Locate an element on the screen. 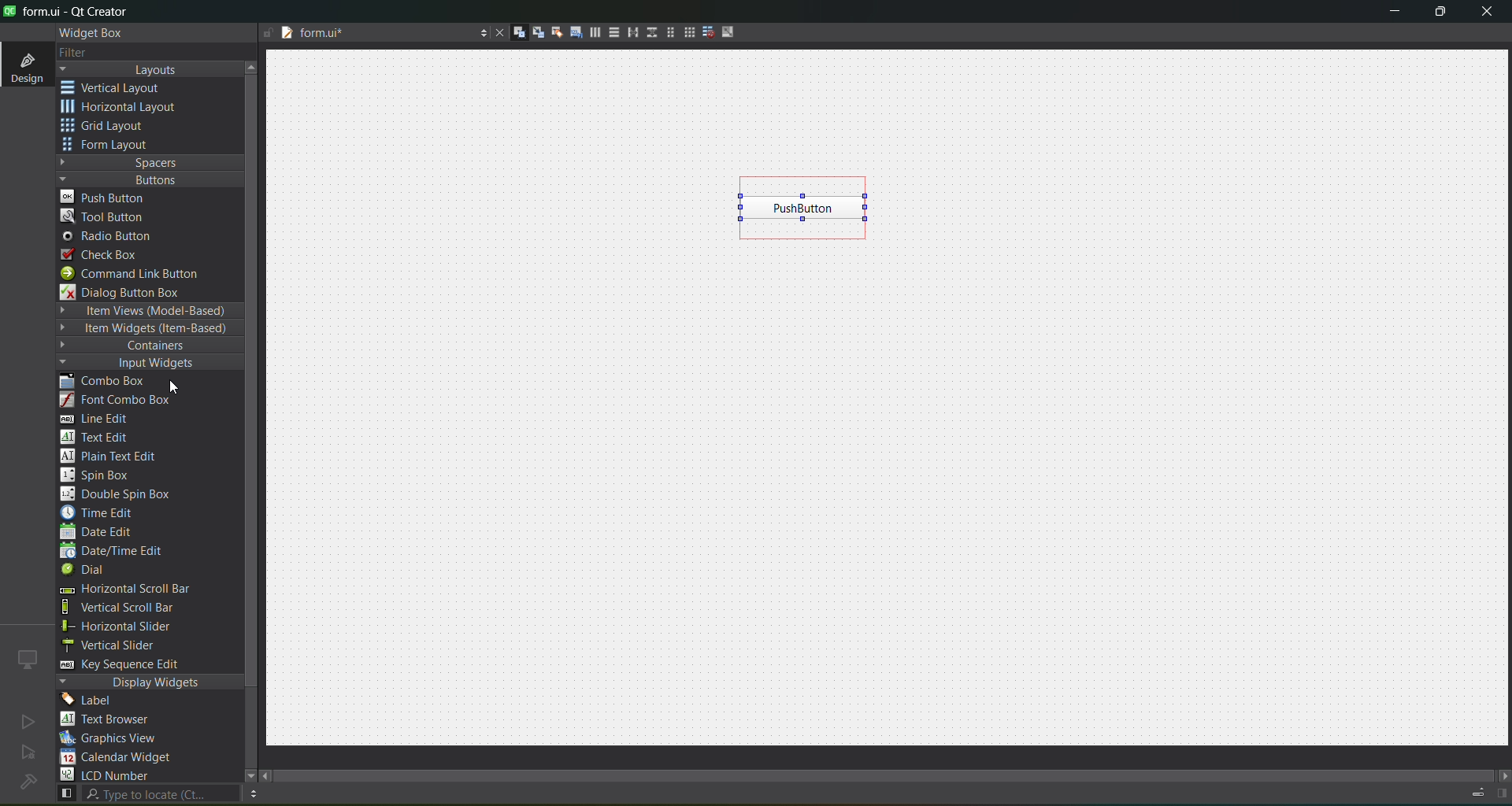 The image size is (1512, 806). radio is located at coordinates (112, 237).